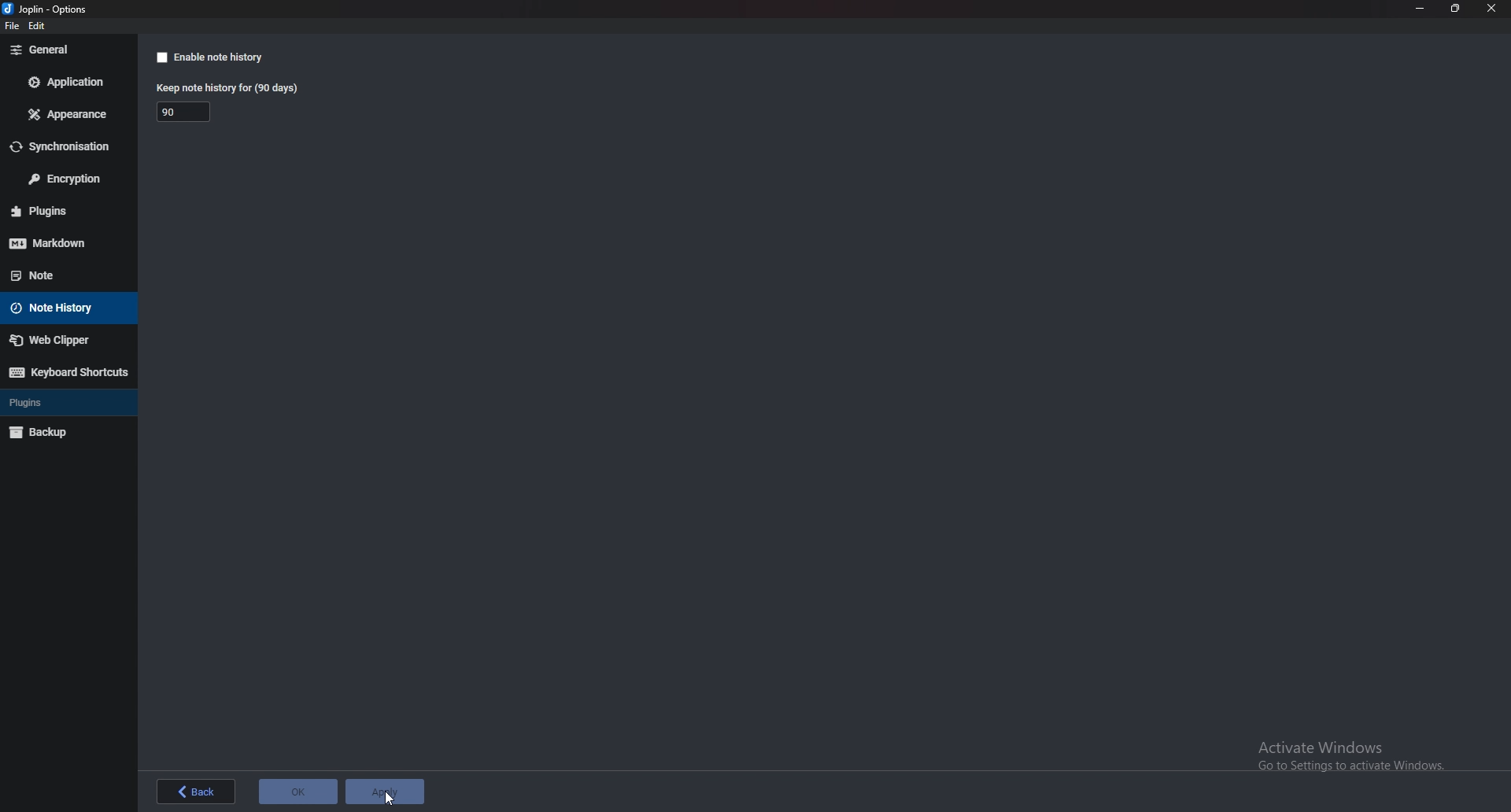 This screenshot has height=812, width=1511. What do you see at coordinates (187, 111) in the screenshot?
I see `Keep note history for` at bounding box center [187, 111].